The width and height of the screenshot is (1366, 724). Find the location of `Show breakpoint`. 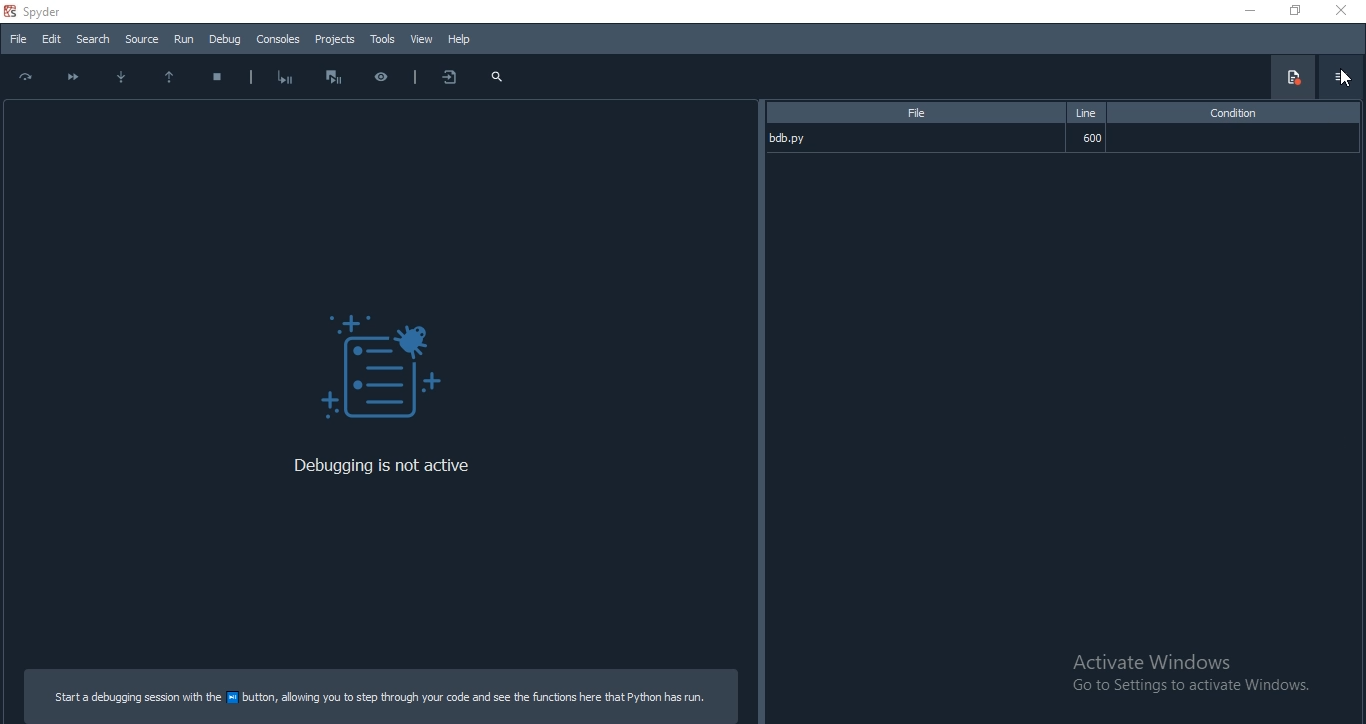

Show breakpoint is located at coordinates (1292, 77).